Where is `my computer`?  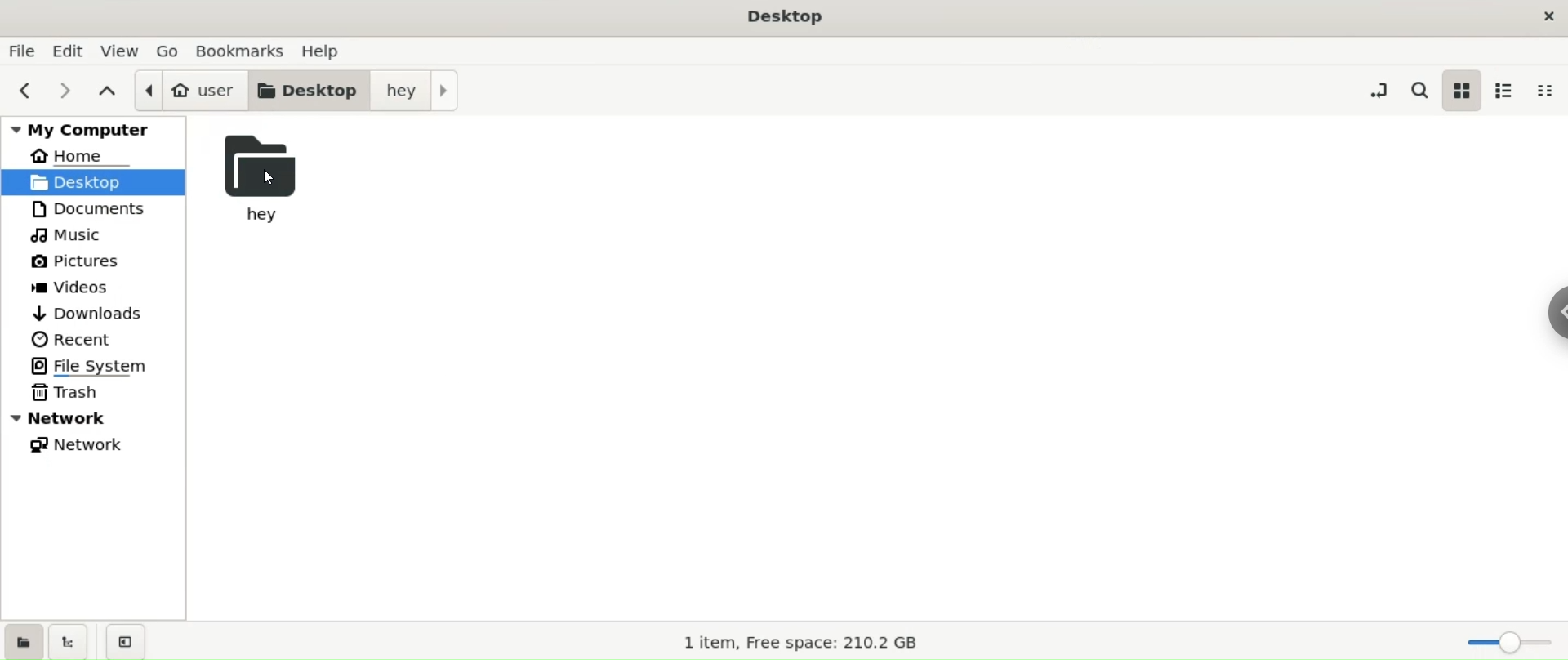 my computer is located at coordinates (92, 129).